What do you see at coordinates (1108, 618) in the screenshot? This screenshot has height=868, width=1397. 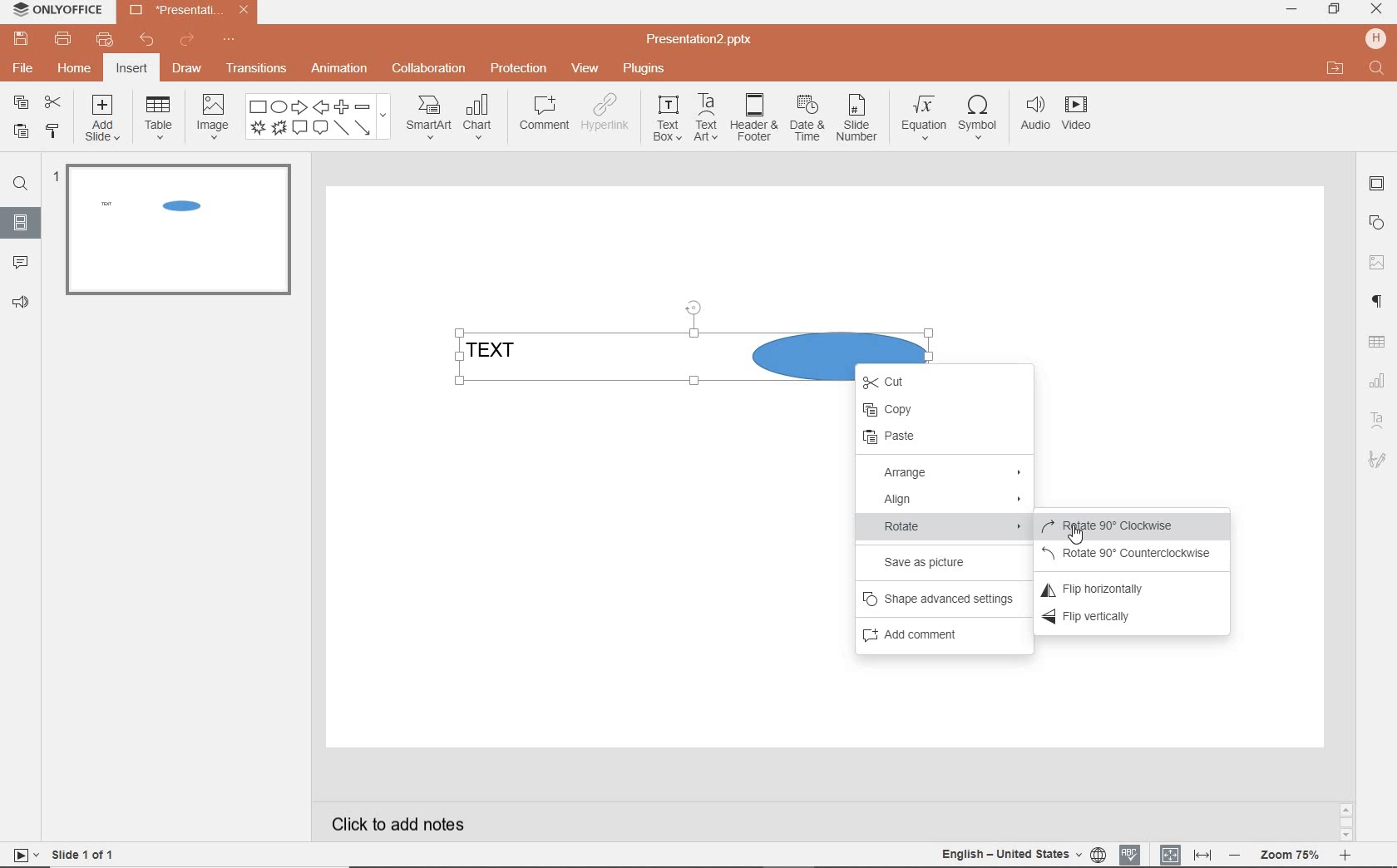 I see `FLIP VERTICALLY` at bounding box center [1108, 618].